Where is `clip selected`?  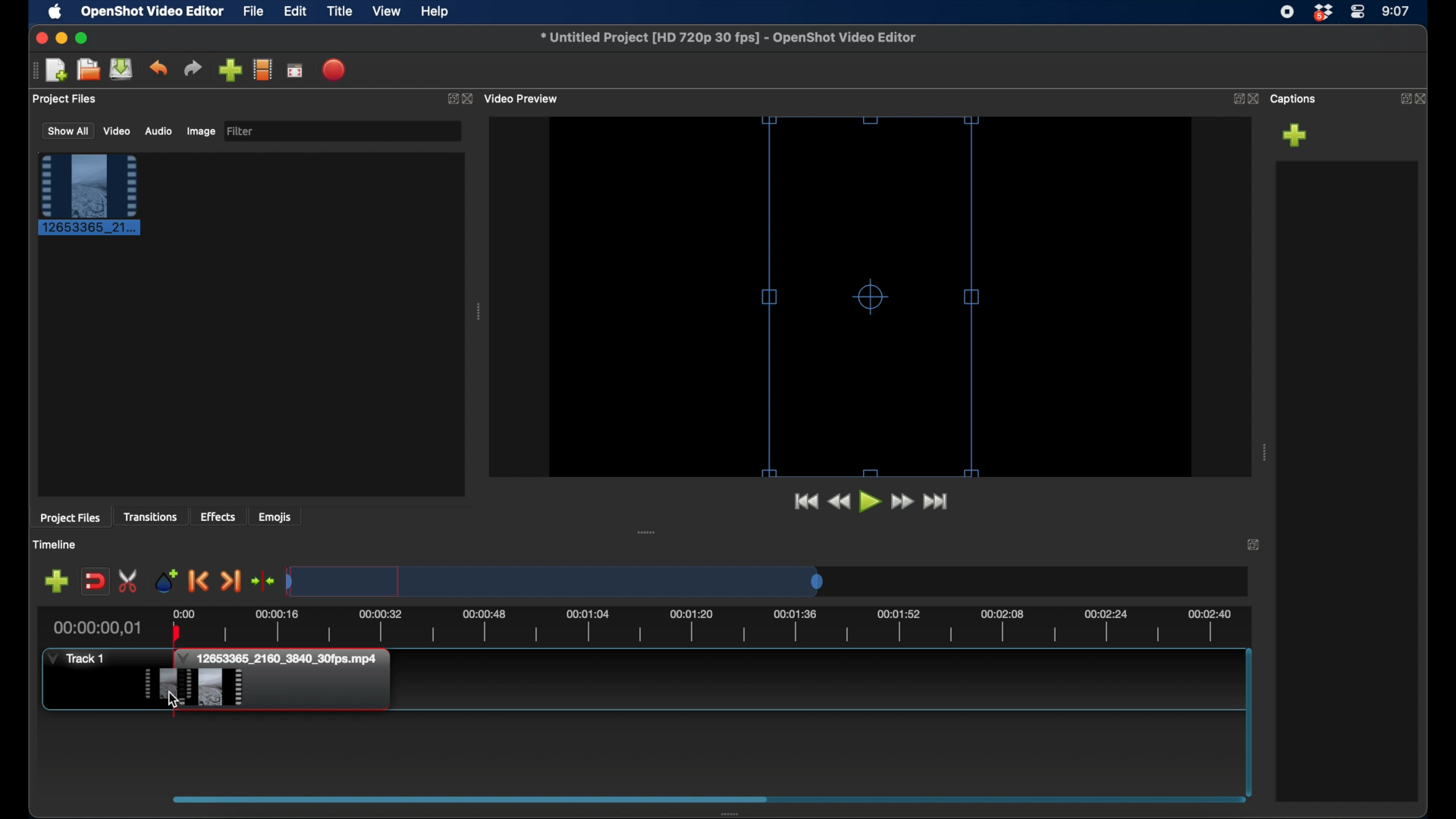
clip selected is located at coordinates (89, 194).